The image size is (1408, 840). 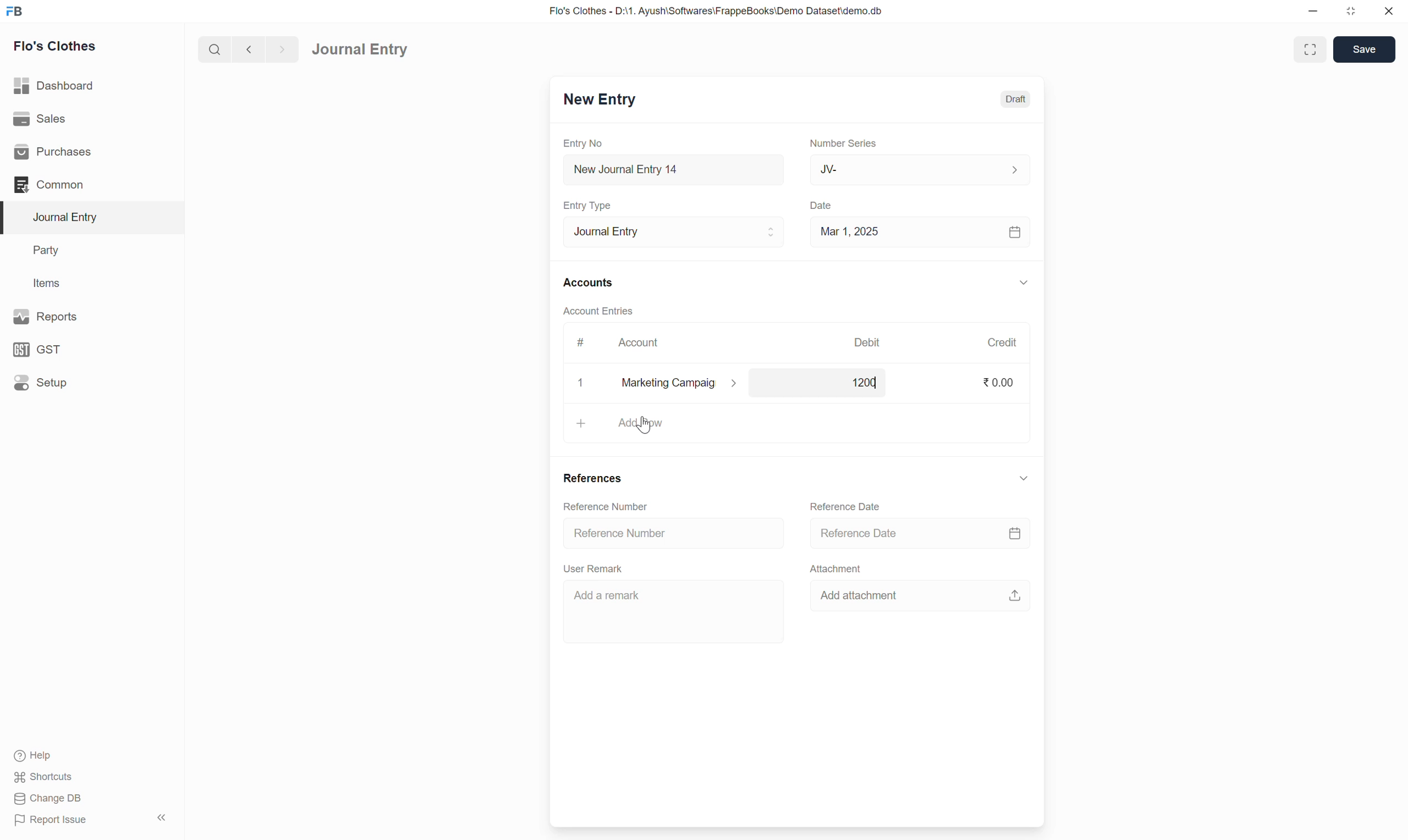 I want to click on upload, so click(x=1016, y=596).